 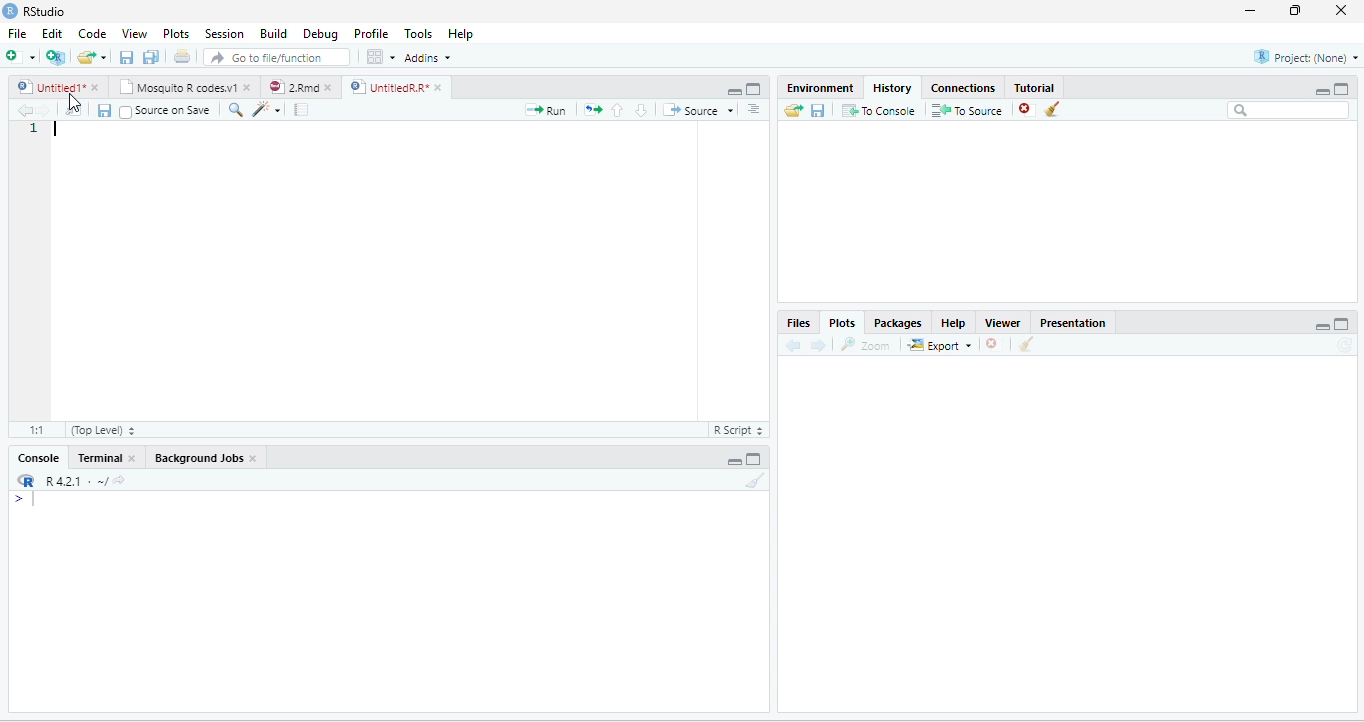 What do you see at coordinates (76, 103) in the screenshot?
I see `cursor` at bounding box center [76, 103].